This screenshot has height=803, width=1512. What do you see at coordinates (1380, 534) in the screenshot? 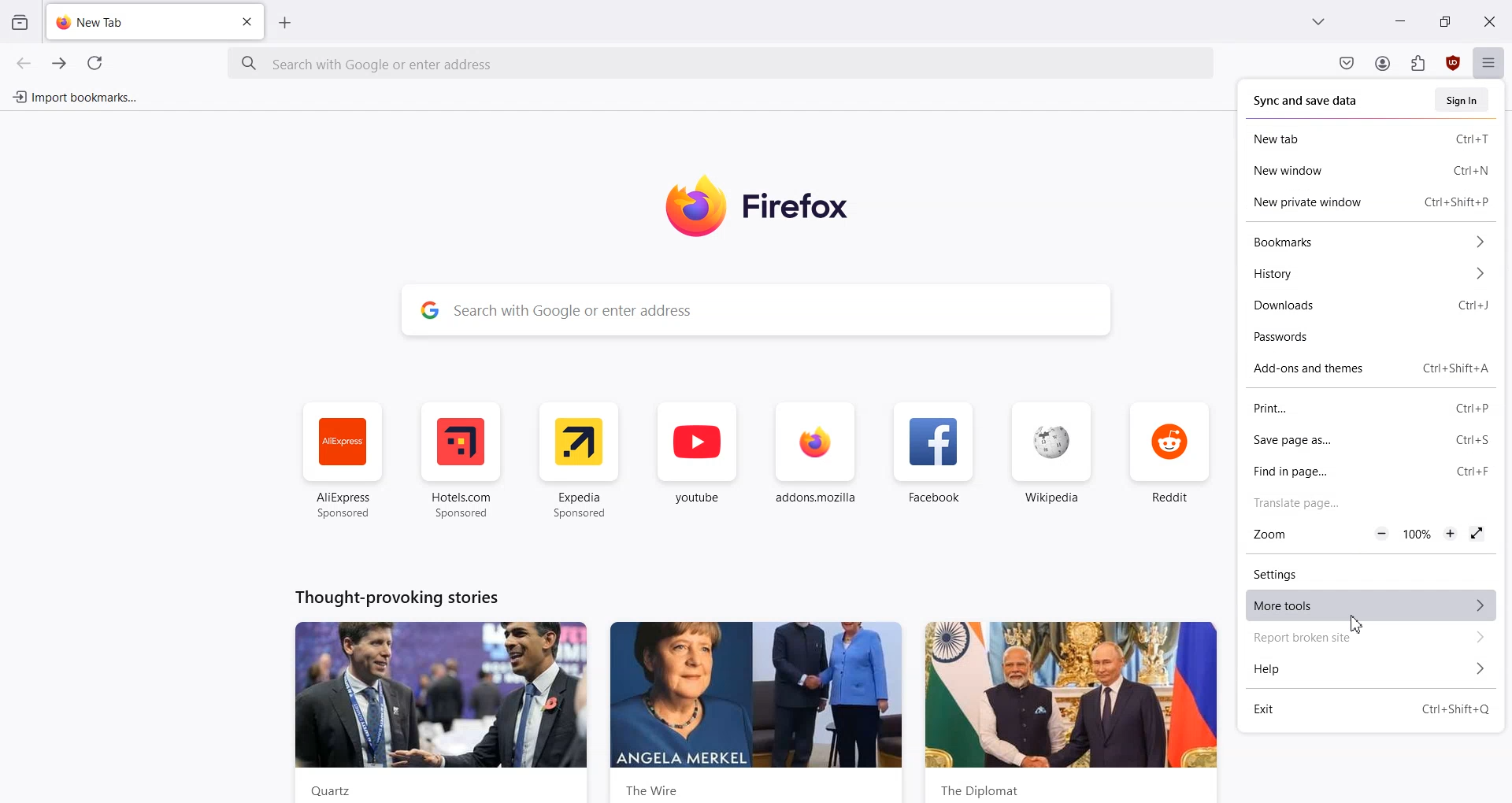
I see `Zoom Out` at bounding box center [1380, 534].